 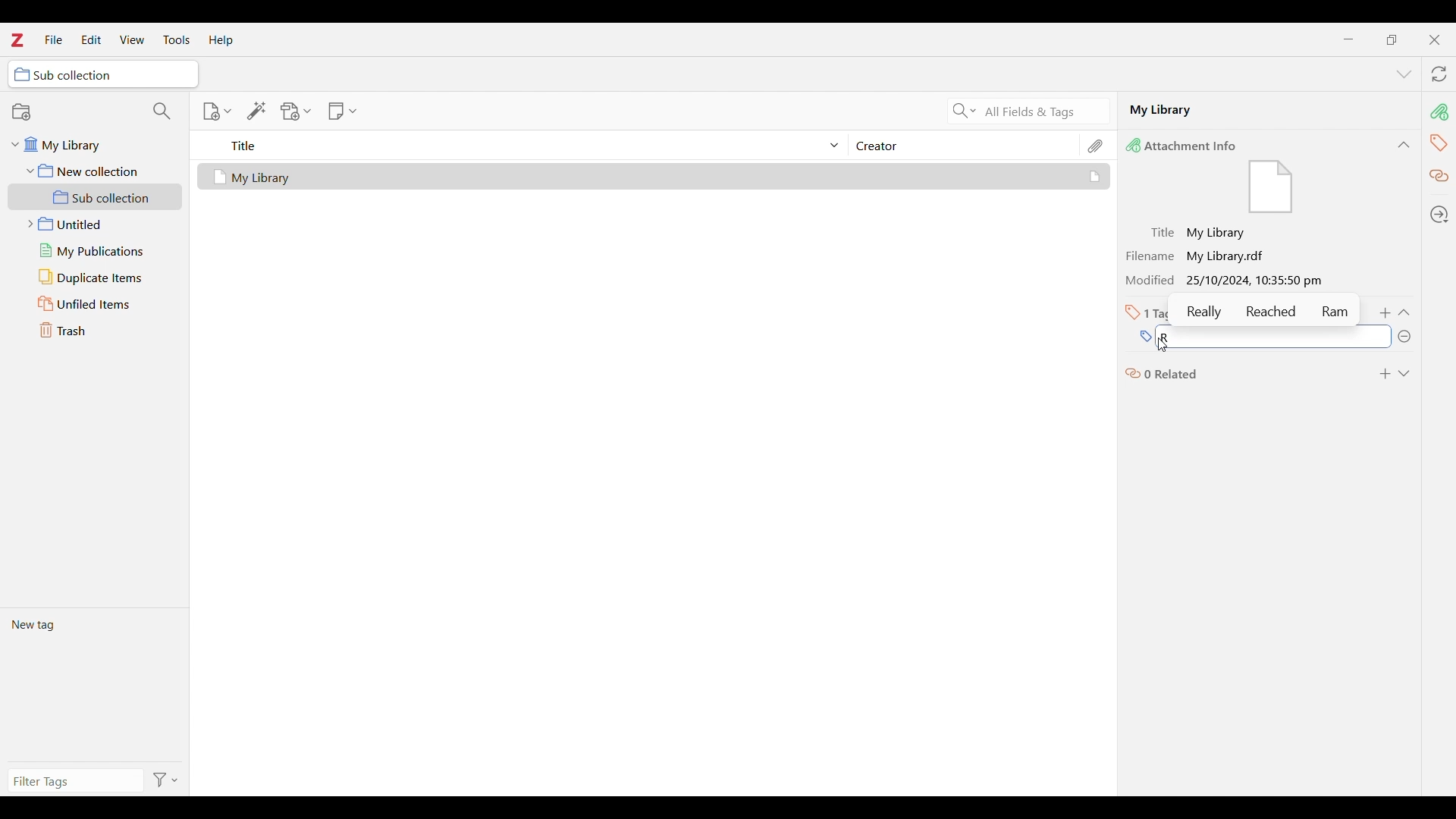 I want to click on Add item/s by identifier, so click(x=257, y=111).